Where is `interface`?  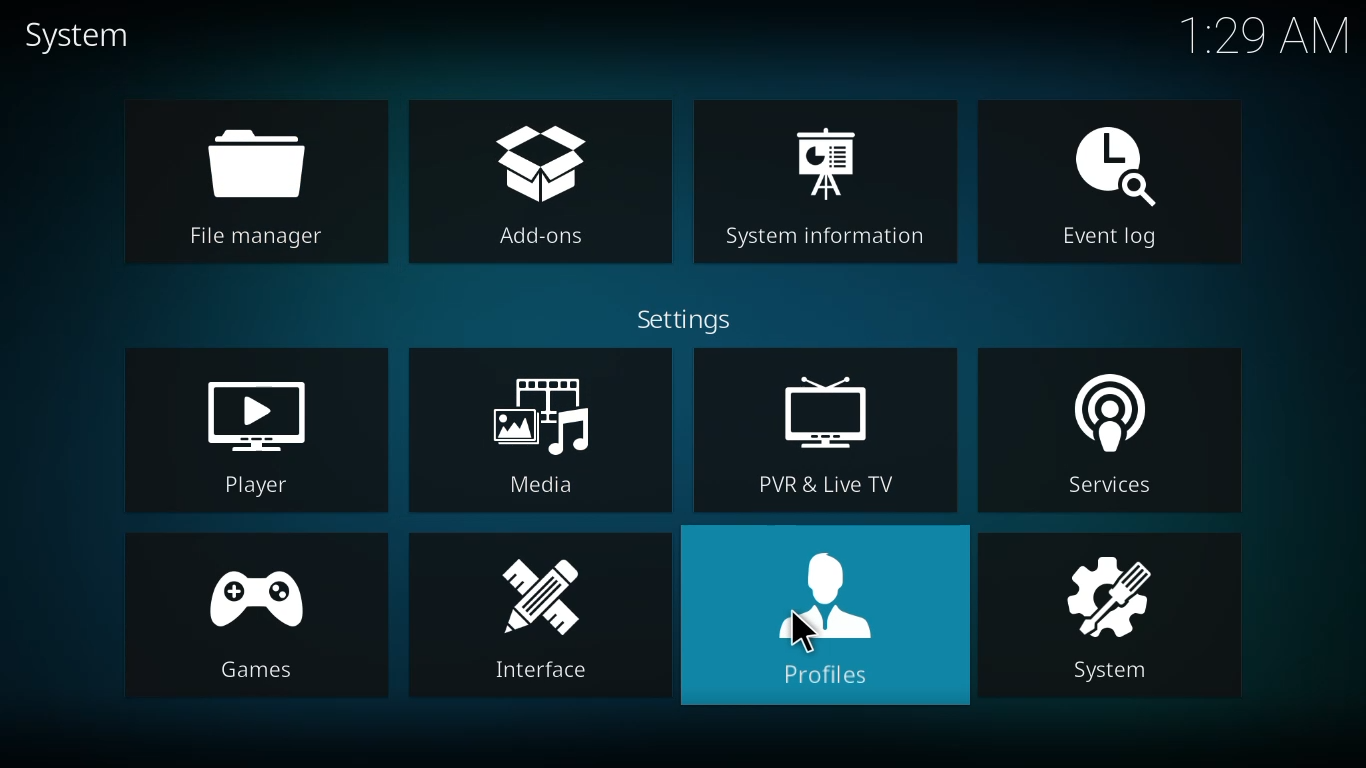 interface is located at coordinates (544, 615).